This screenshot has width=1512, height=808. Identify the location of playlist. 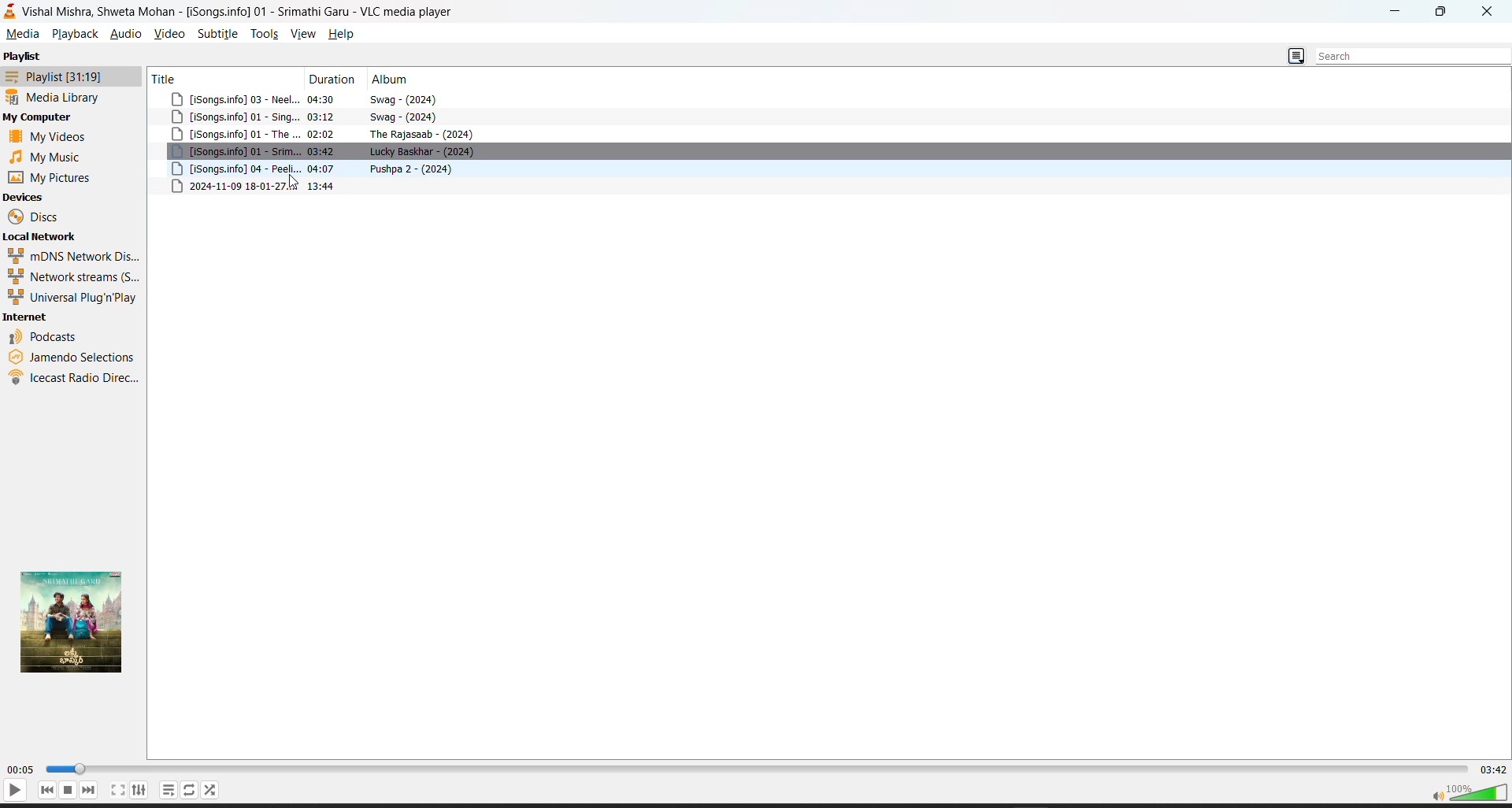
(24, 57).